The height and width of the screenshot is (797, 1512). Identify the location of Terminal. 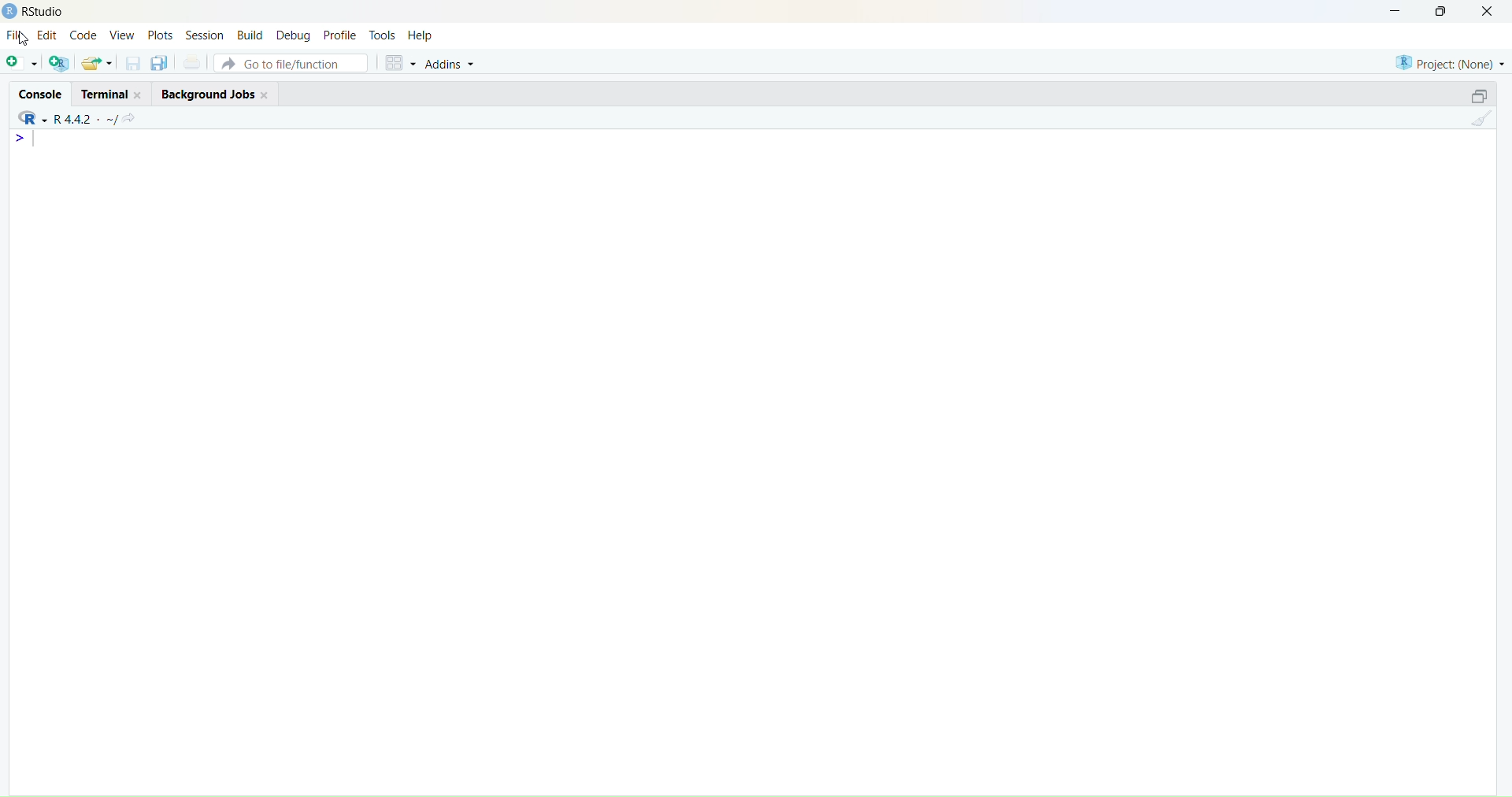
(110, 94).